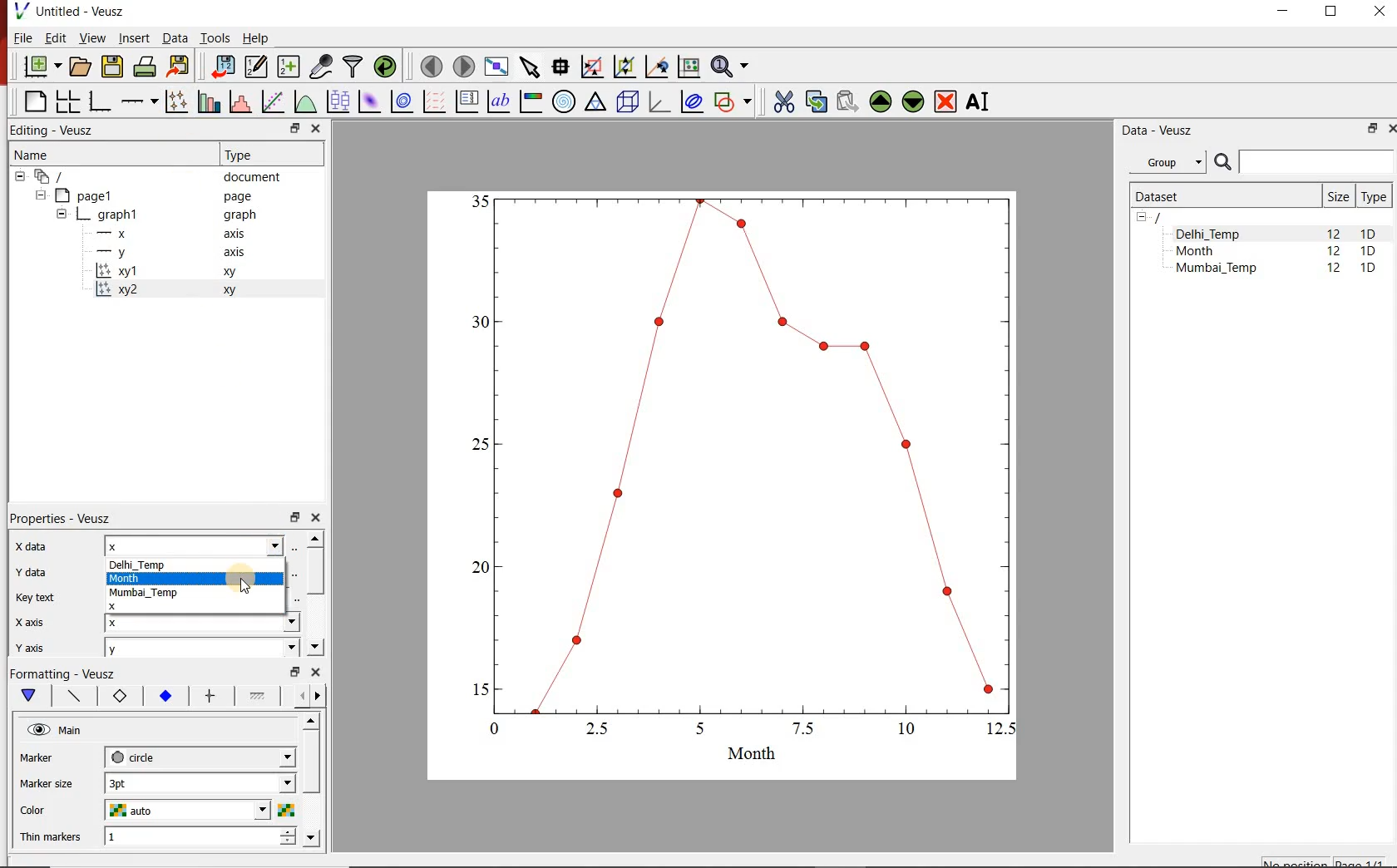 The image size is (1397, 868). Describe the element at coordinates (531, 67) in the screenshot. I see `select items from the graph or scroll` at that location.